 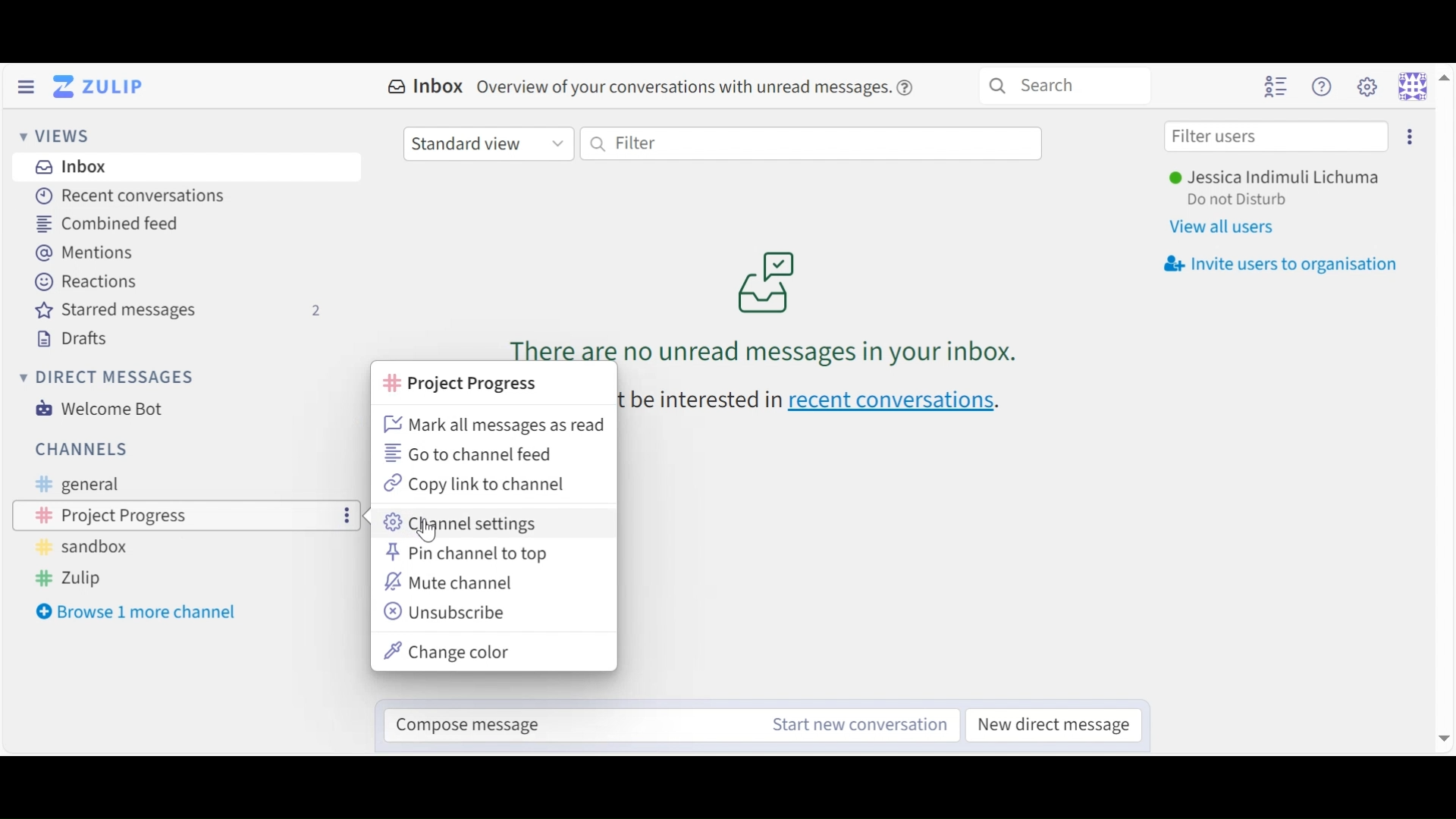 I want to click on Unsubscribe, so click(x=447, y=612).